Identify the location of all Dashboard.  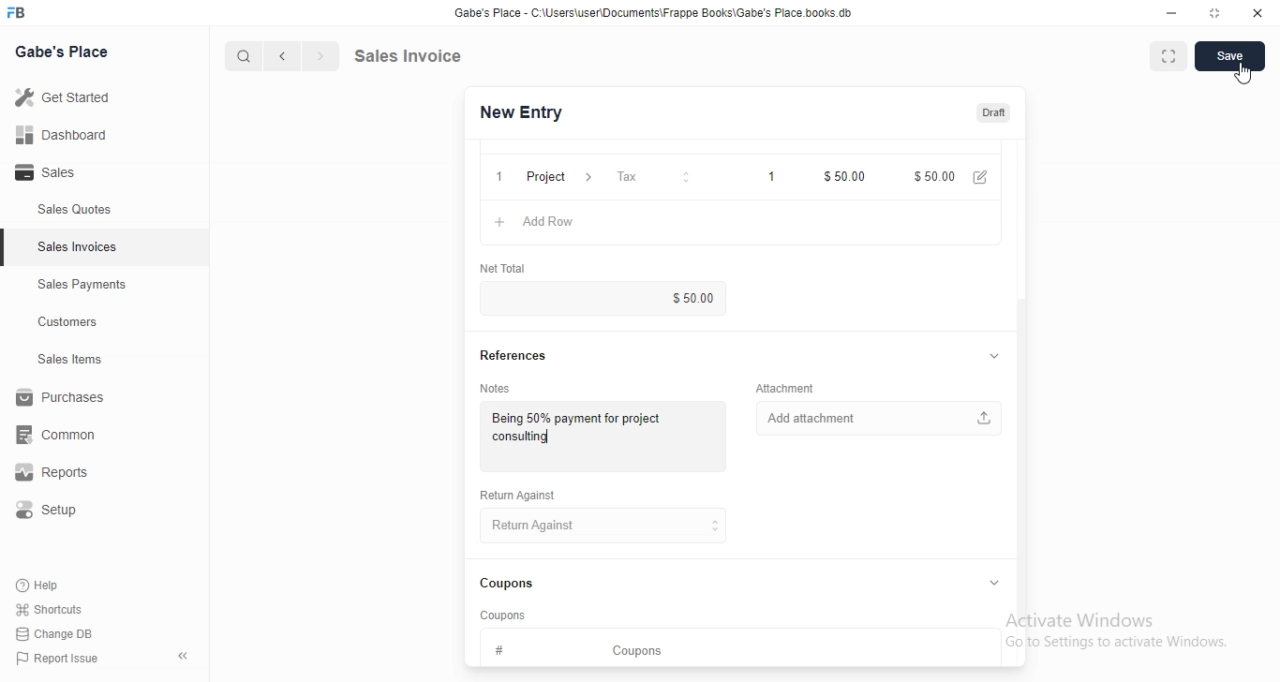
(69, 141).